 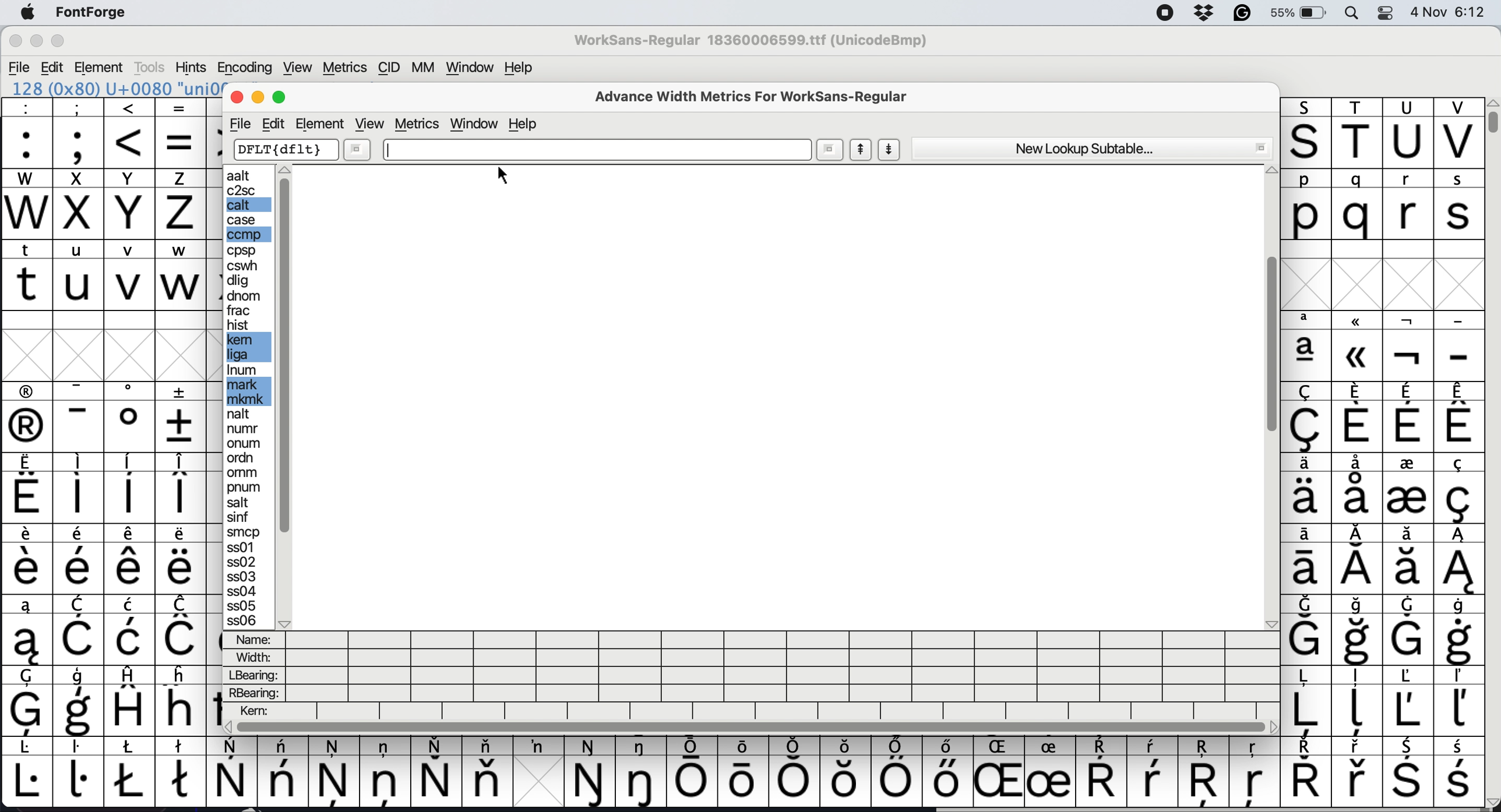 What do you see at coordinates (420, 124) in the screenshot?
I see `metrics` at bounding box center [420, 124].